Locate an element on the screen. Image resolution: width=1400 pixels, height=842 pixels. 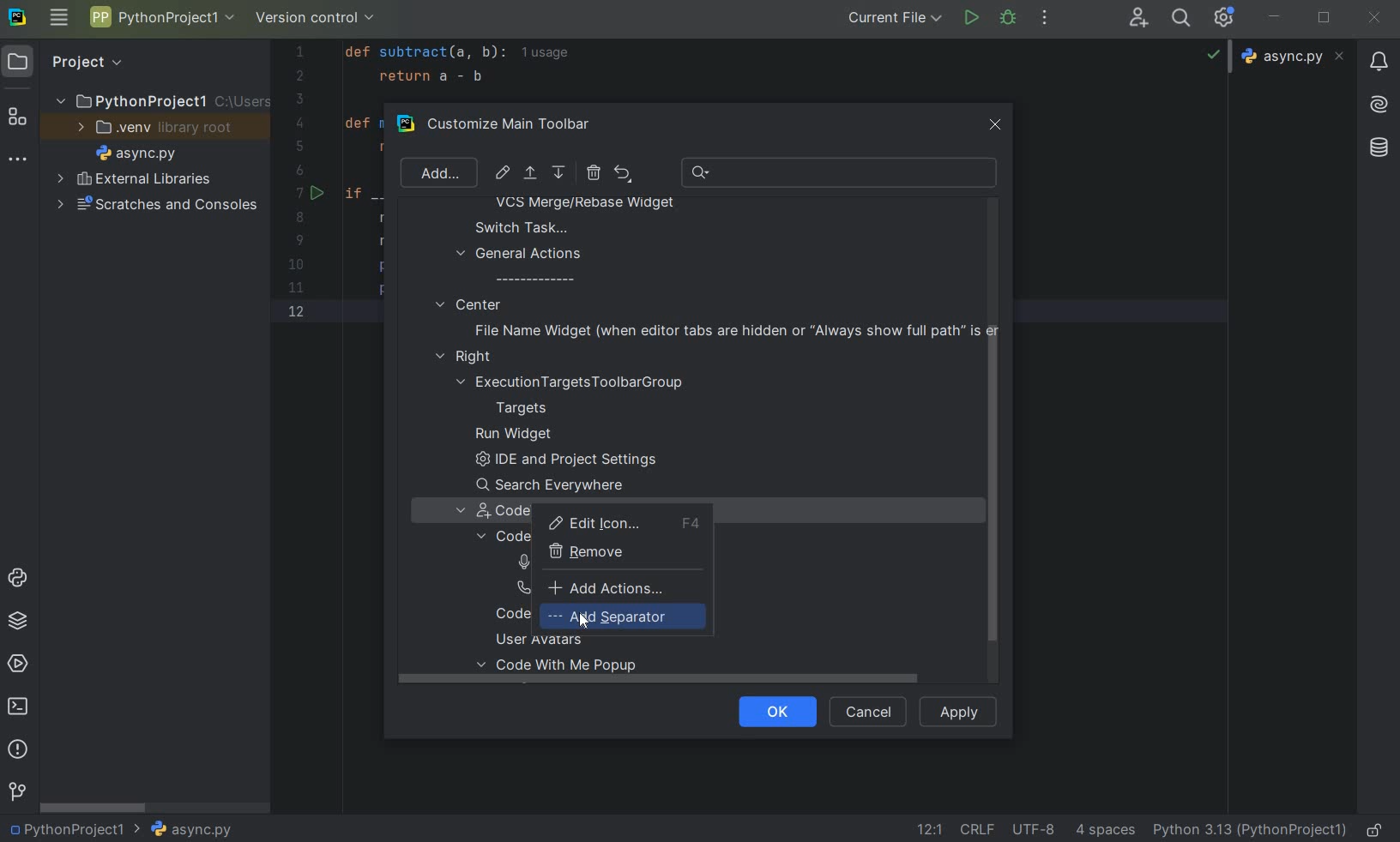
DEBUG is located at coordinates (1011, 21).